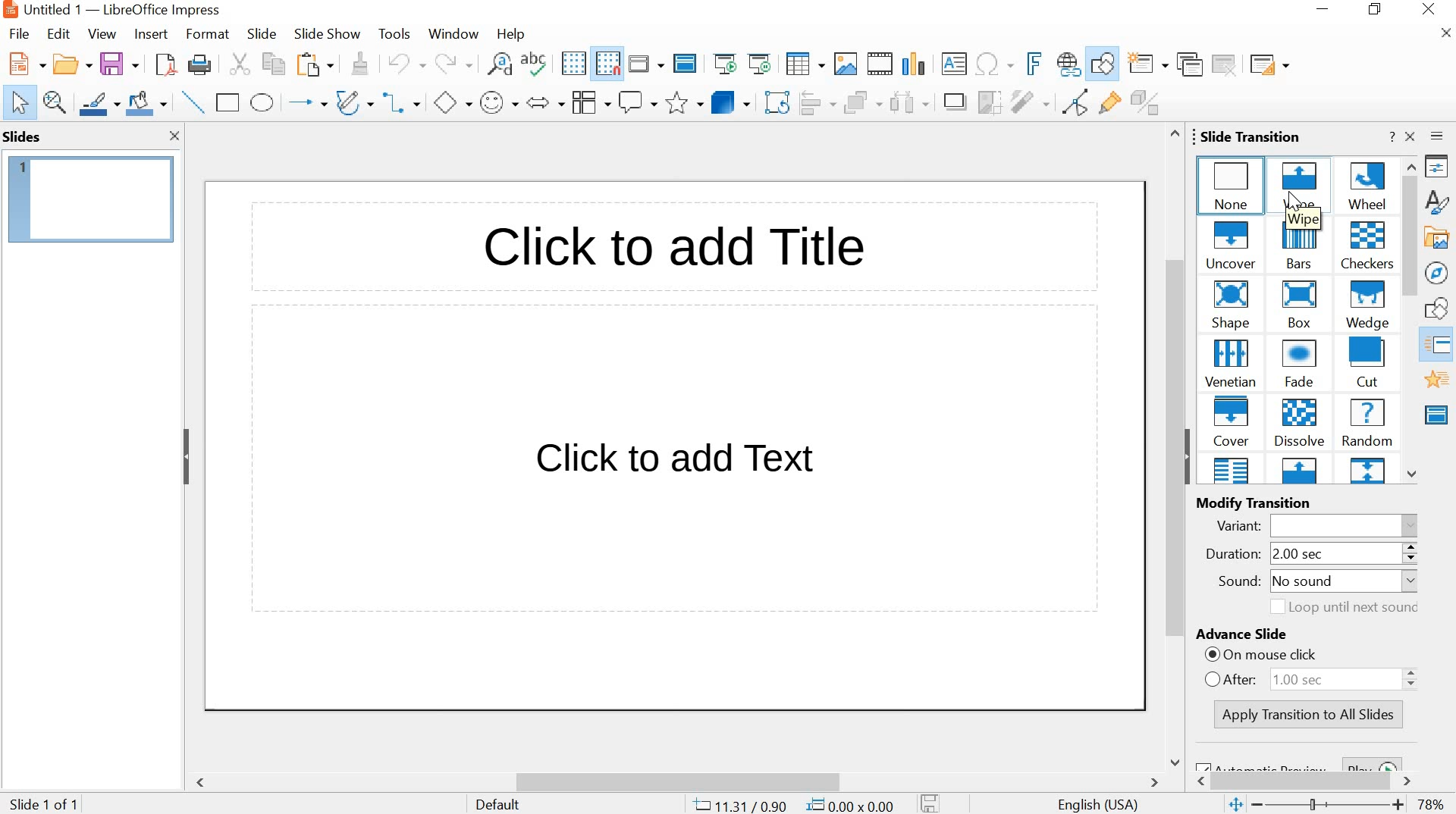 This screenshot has width=1456, height=814. What do you see at coordinates (1303, 778) in the screenshot?
I see `scrollbar` at bounding box center [1303, 778].